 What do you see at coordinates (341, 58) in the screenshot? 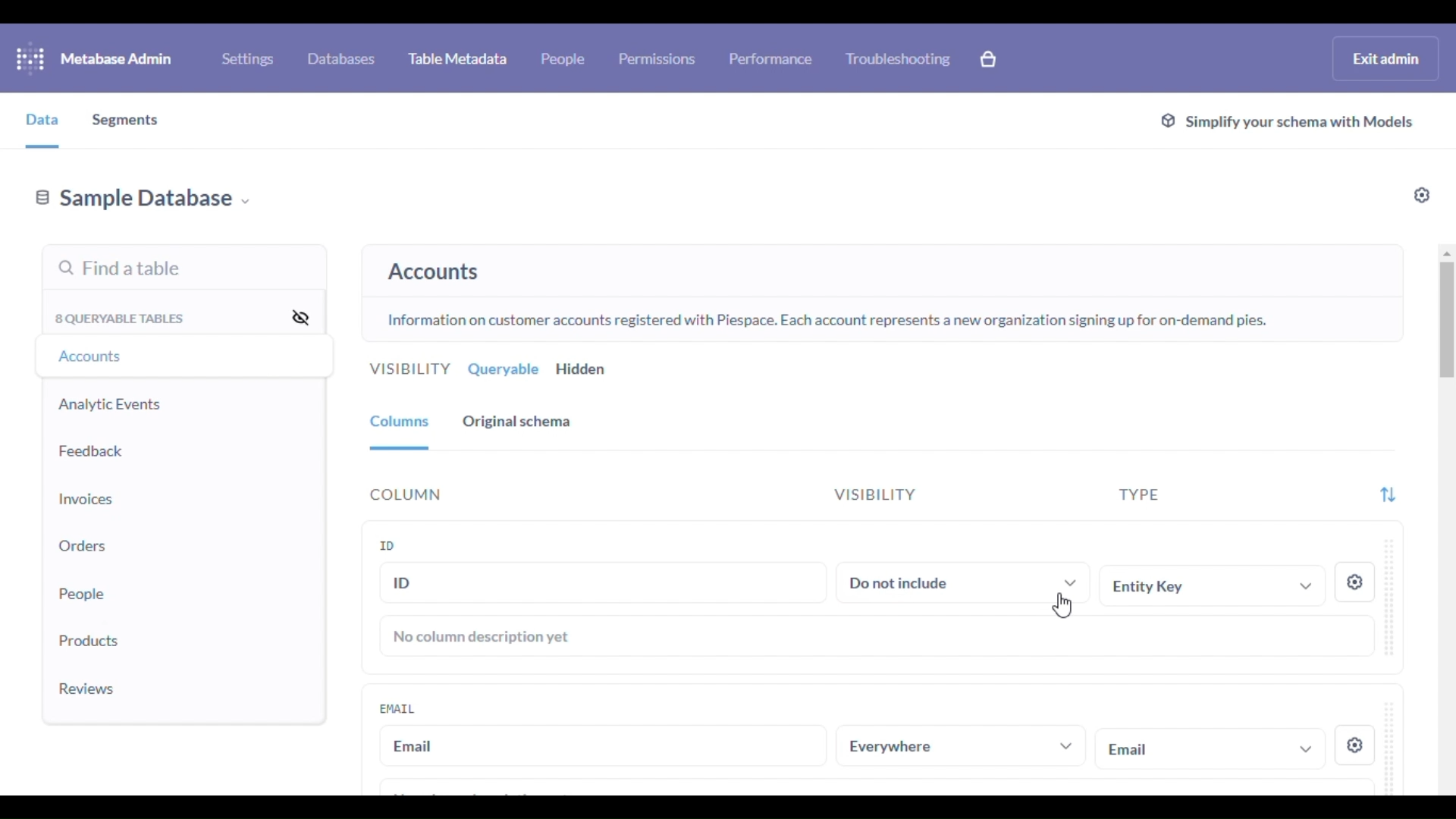
I see `databases` at bounding box center [341, 58].